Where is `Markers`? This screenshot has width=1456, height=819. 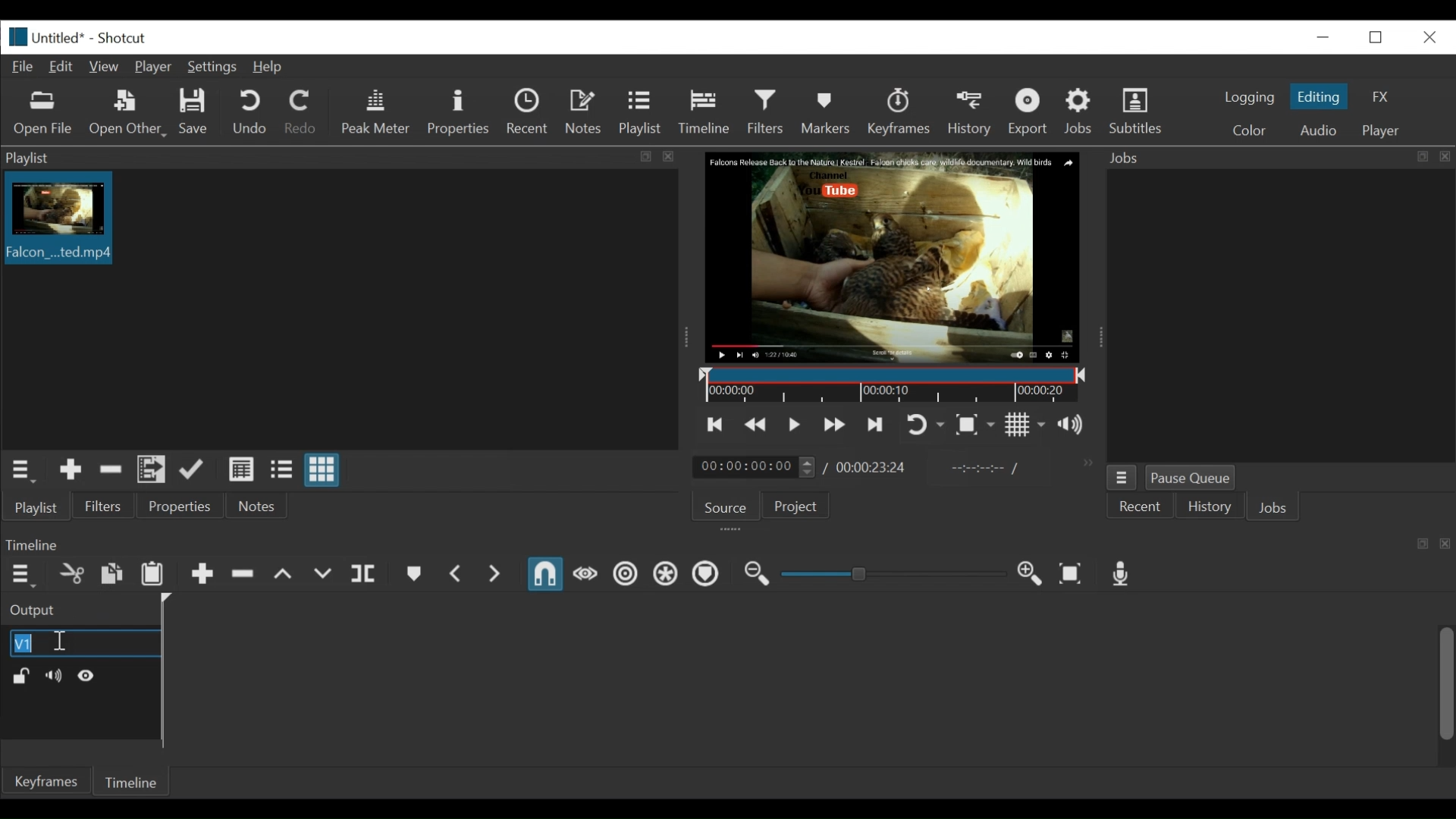
Markers is located at coordinates (829, 114).